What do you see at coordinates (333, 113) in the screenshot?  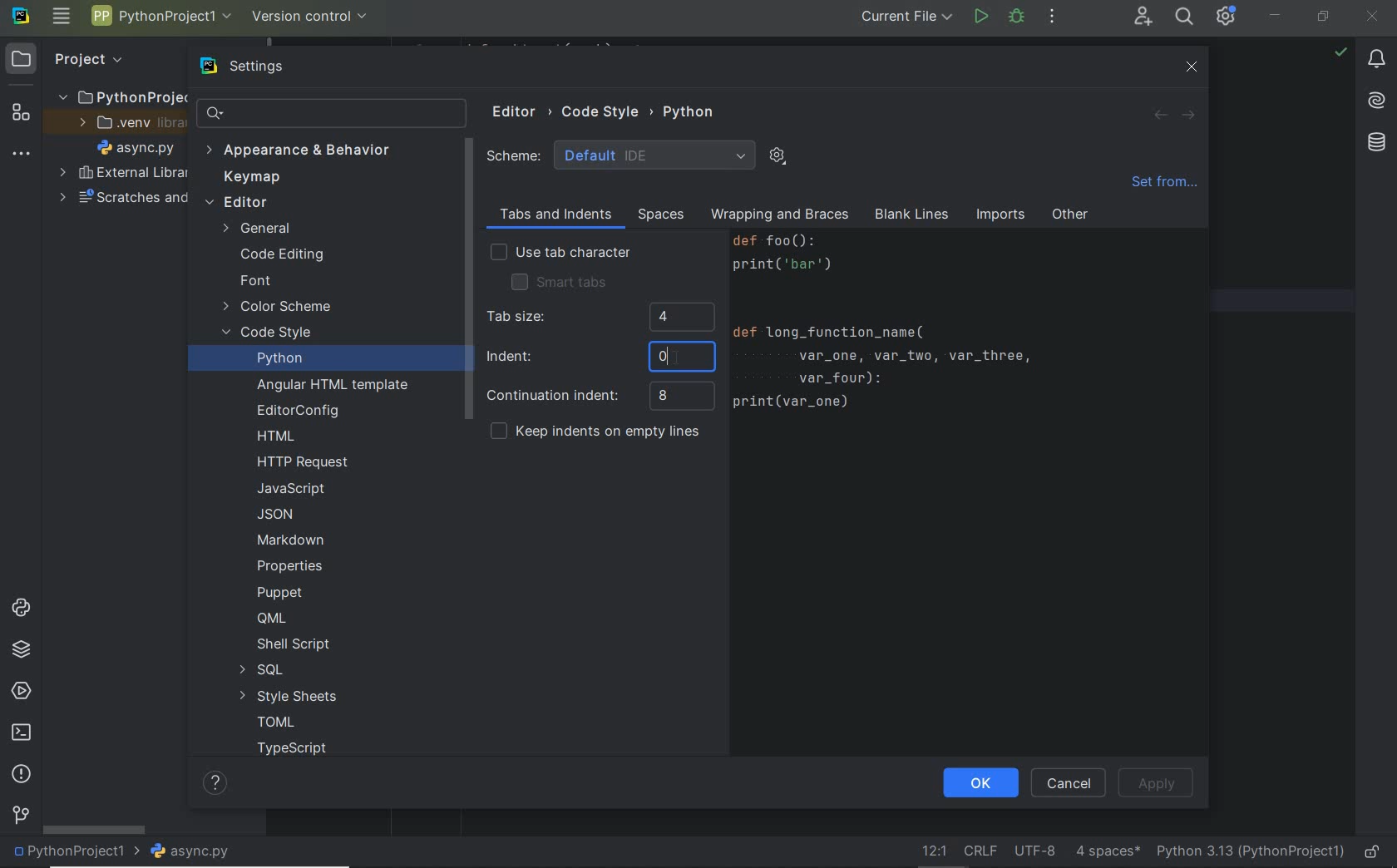 I see `search settings` at bounding box center [333, 113].